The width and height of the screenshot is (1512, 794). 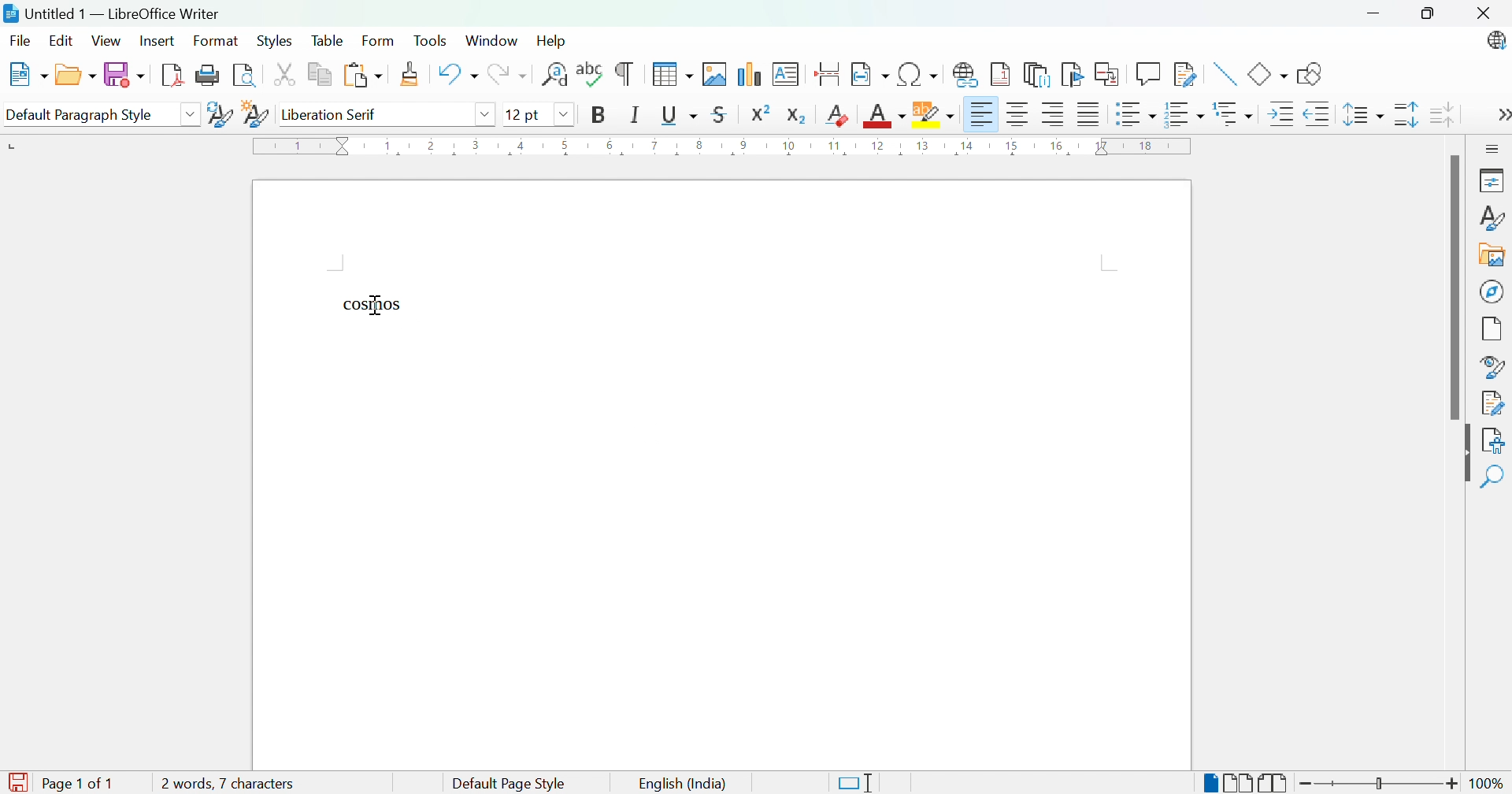 I want to click on Insert table, so click(x=674, y=73).